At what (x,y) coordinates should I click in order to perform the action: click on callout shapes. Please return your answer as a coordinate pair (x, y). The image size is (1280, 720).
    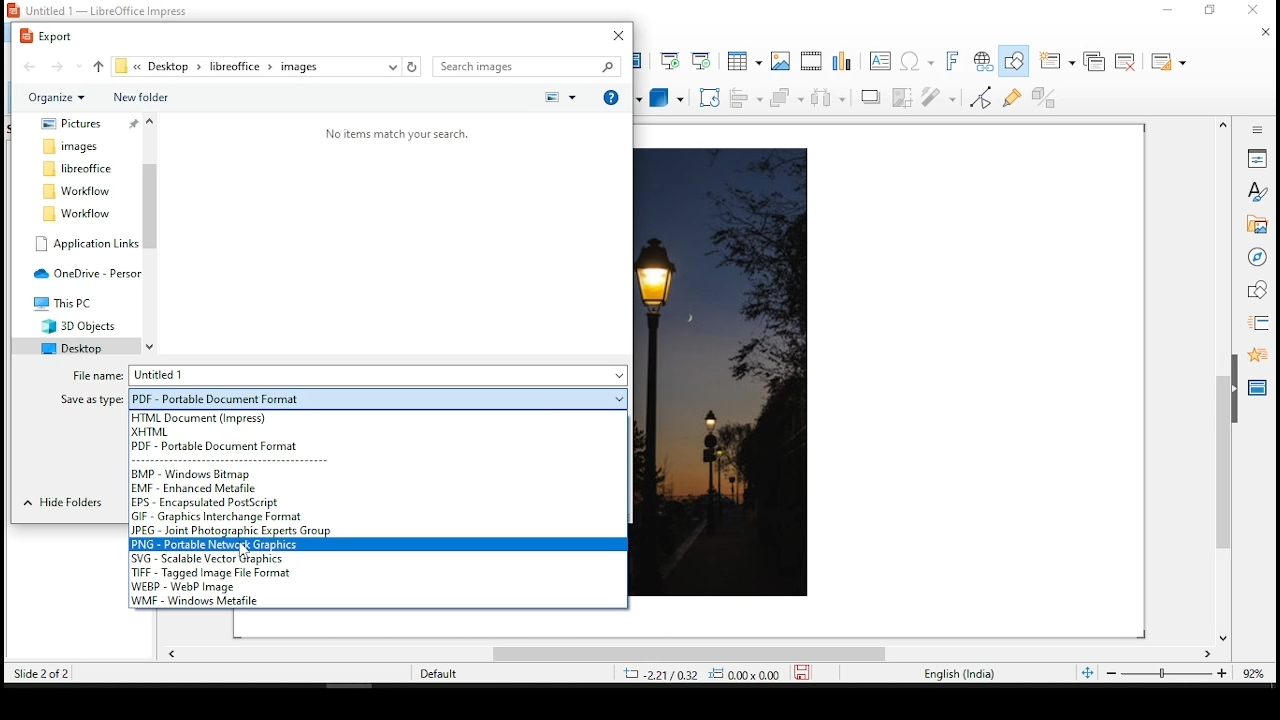
    Looking at the image, I should click on (583, 97).